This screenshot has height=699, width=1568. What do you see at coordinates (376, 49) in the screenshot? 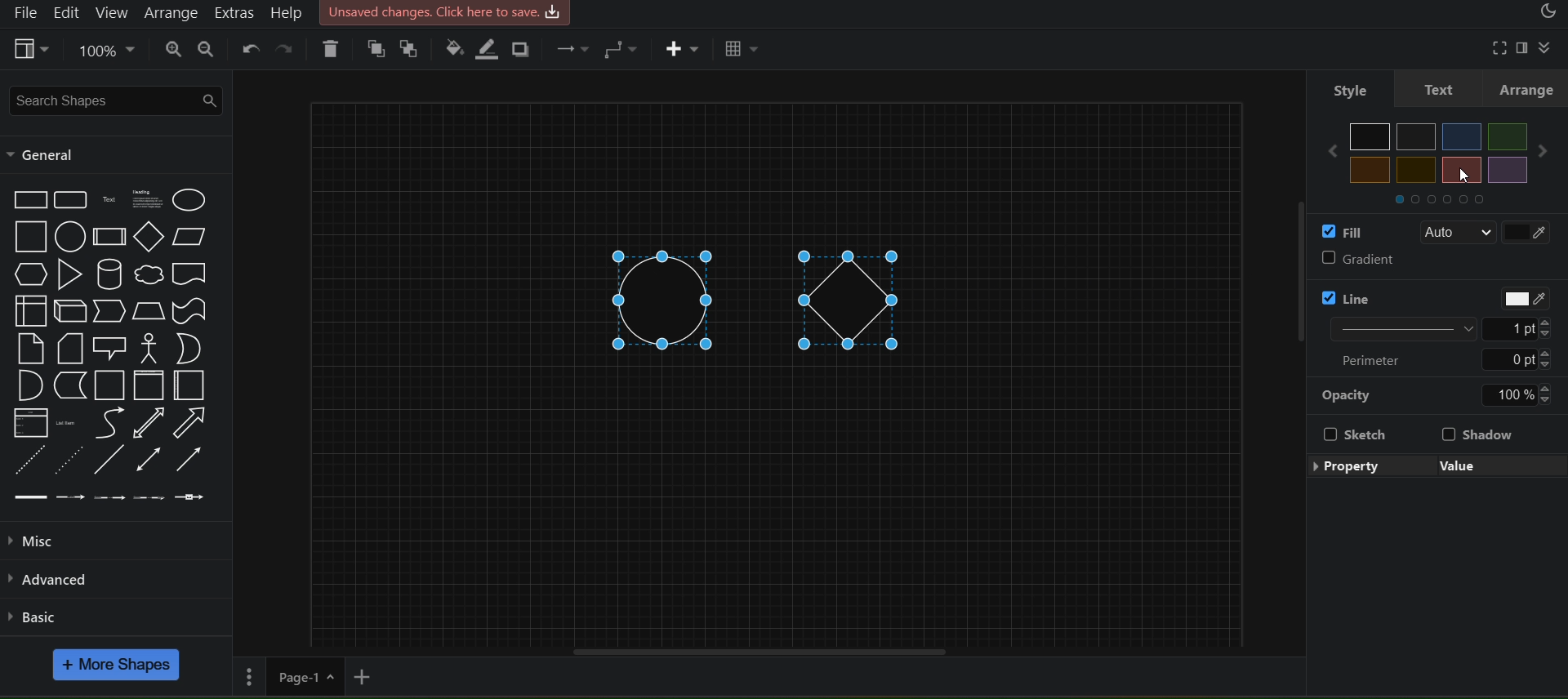
I see `to front` at bounding box center [376, 49].